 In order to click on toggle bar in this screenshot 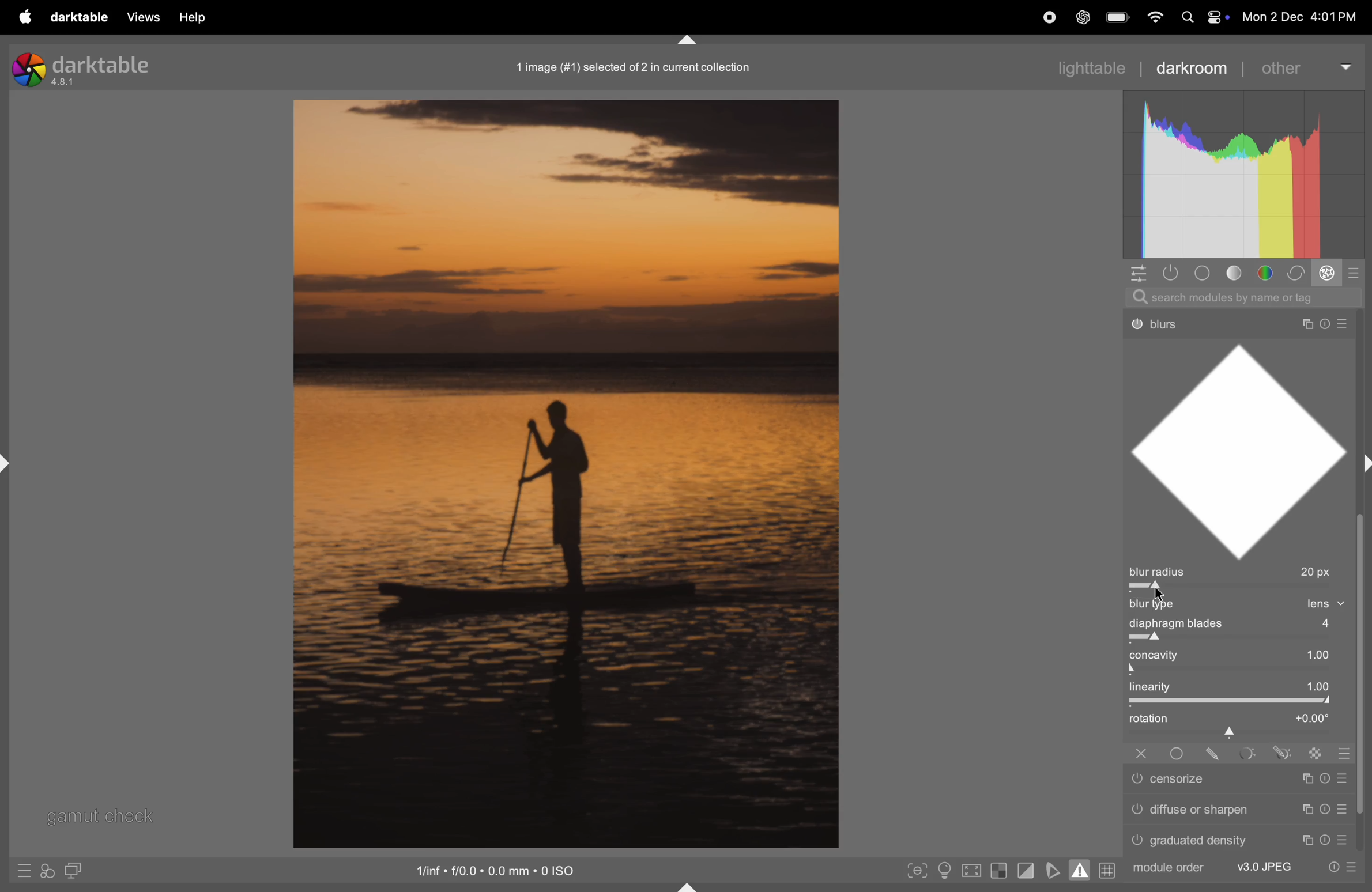, I will do `click(1243, 671)`.